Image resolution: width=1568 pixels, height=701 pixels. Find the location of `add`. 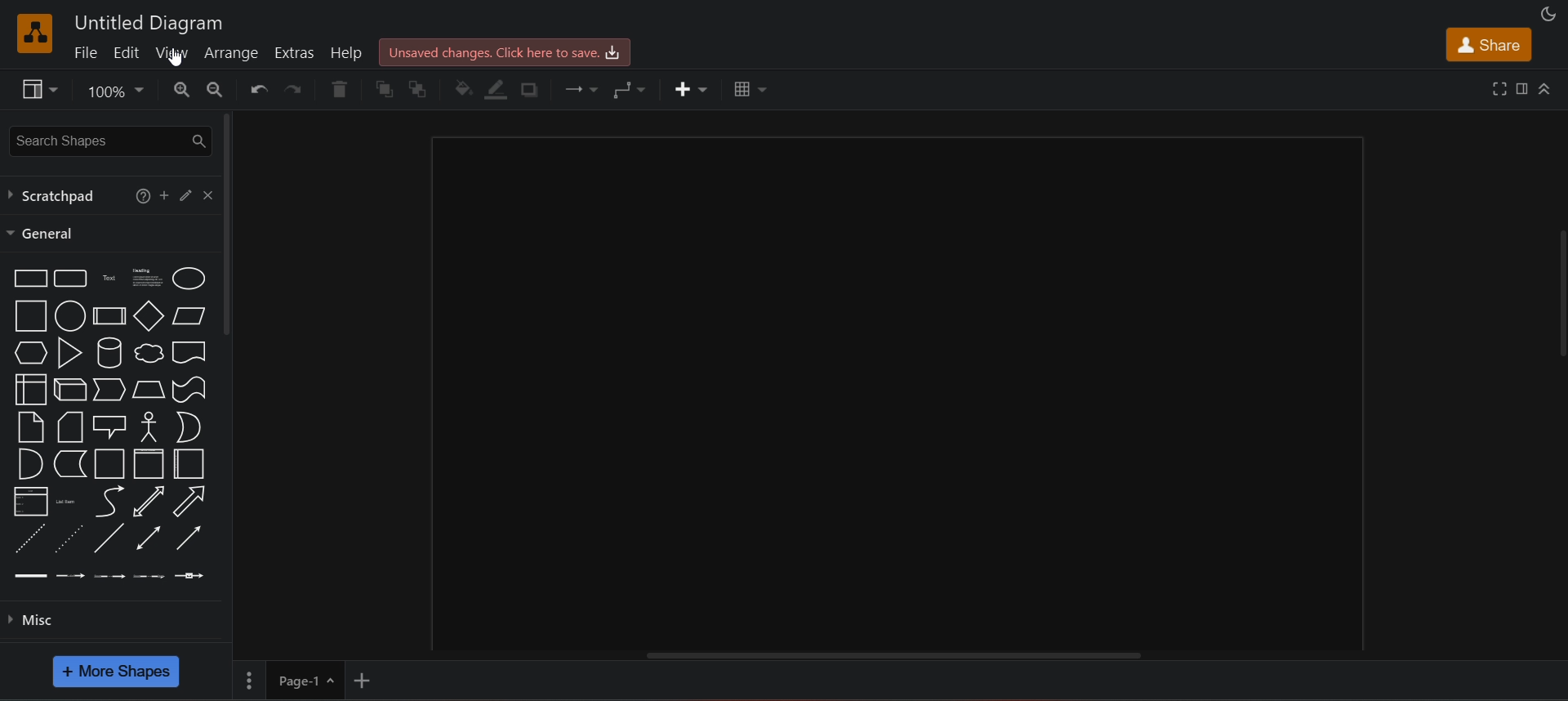

add is located at coordinates (165, 194).